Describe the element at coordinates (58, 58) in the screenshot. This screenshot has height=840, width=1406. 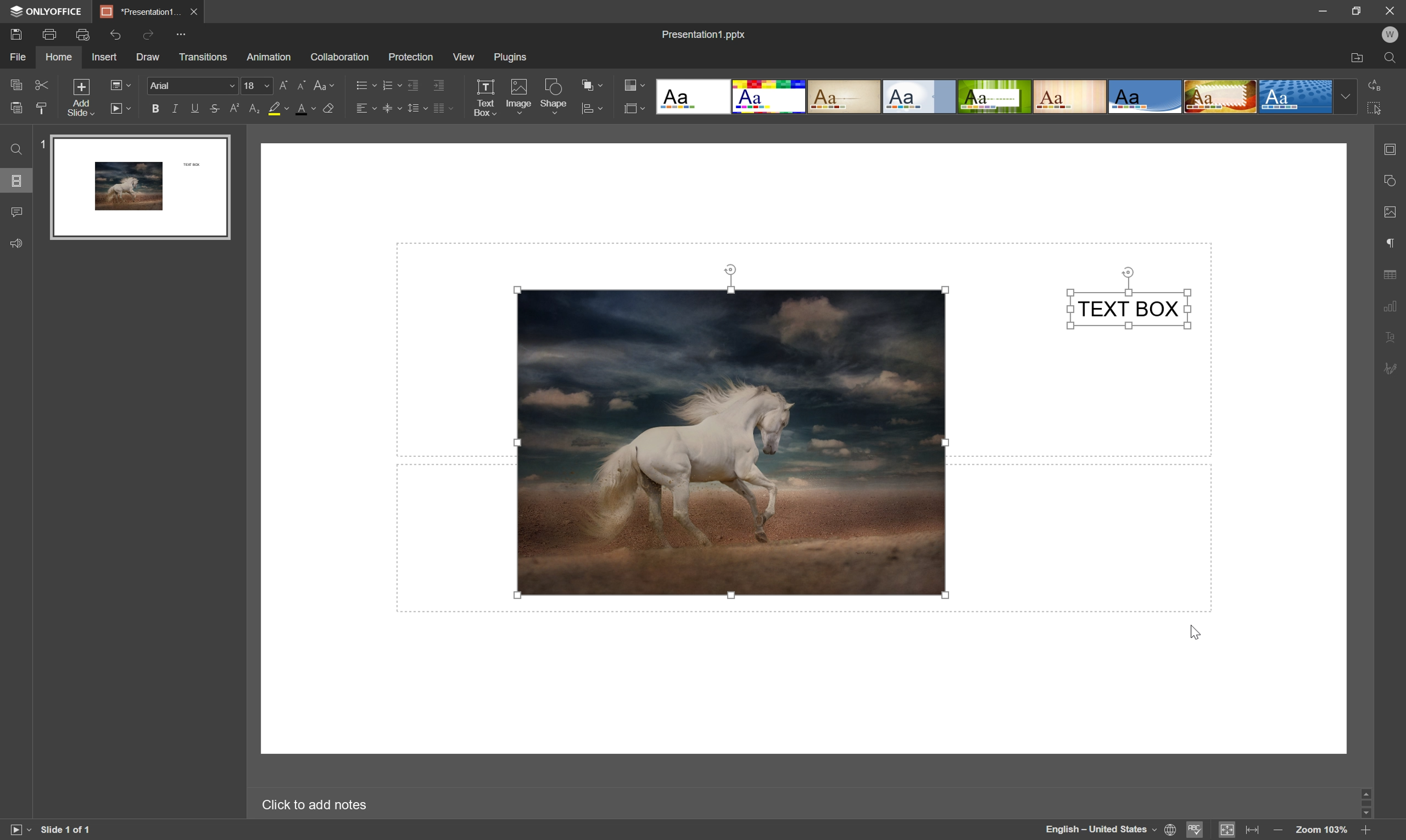
I see `home` at that location.